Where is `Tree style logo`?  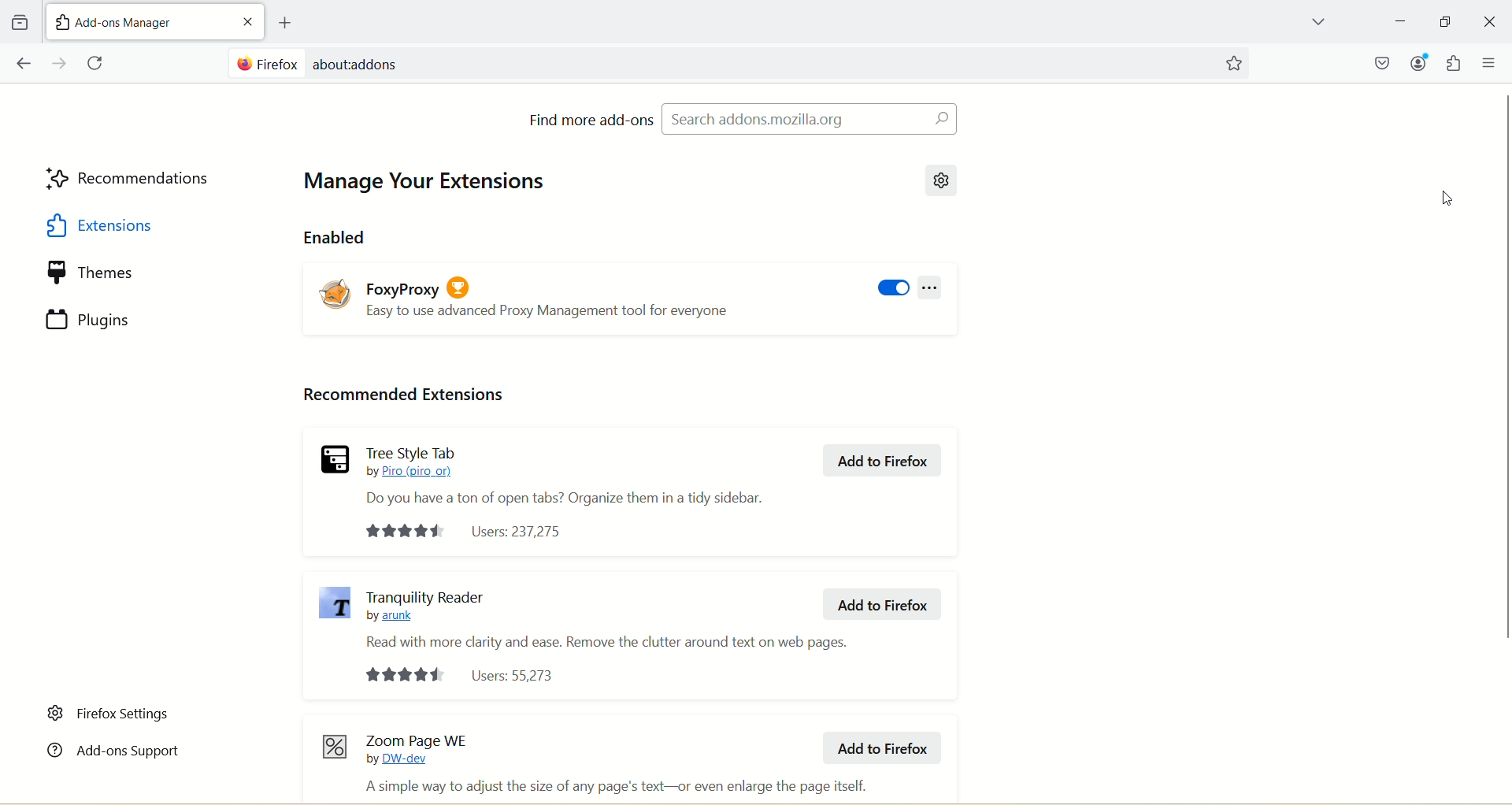
Tree style logo is located at coordinates (334, 458).